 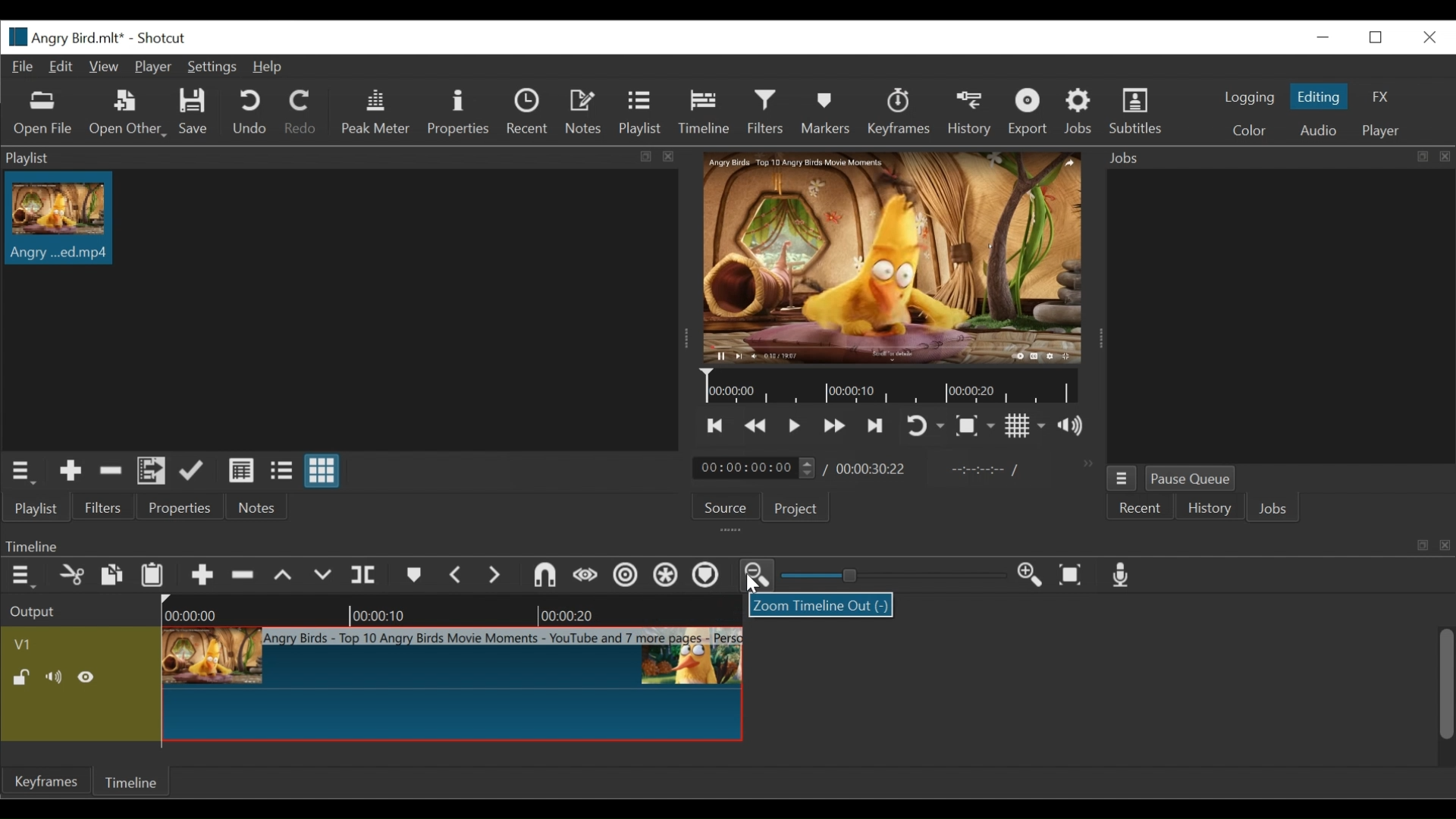 I want to click on Copy, so click(x=111, y=575).